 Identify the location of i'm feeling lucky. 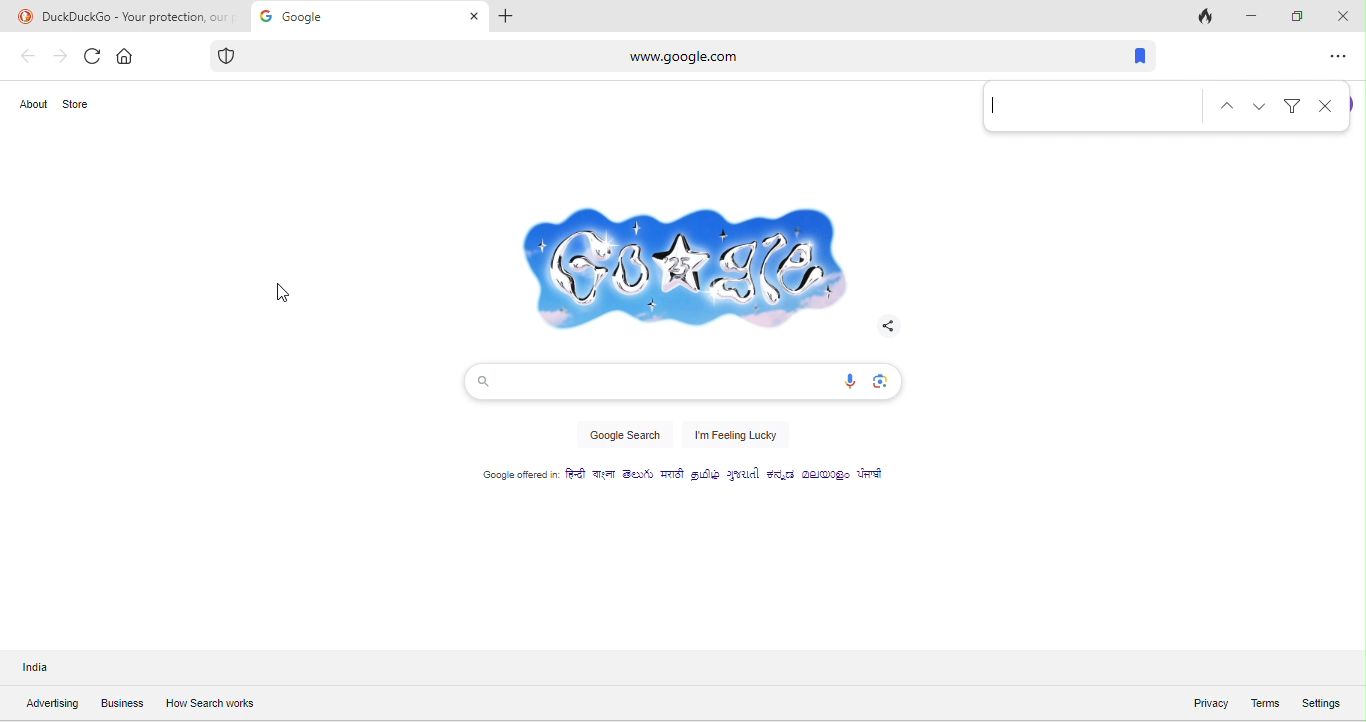
(736, 437).